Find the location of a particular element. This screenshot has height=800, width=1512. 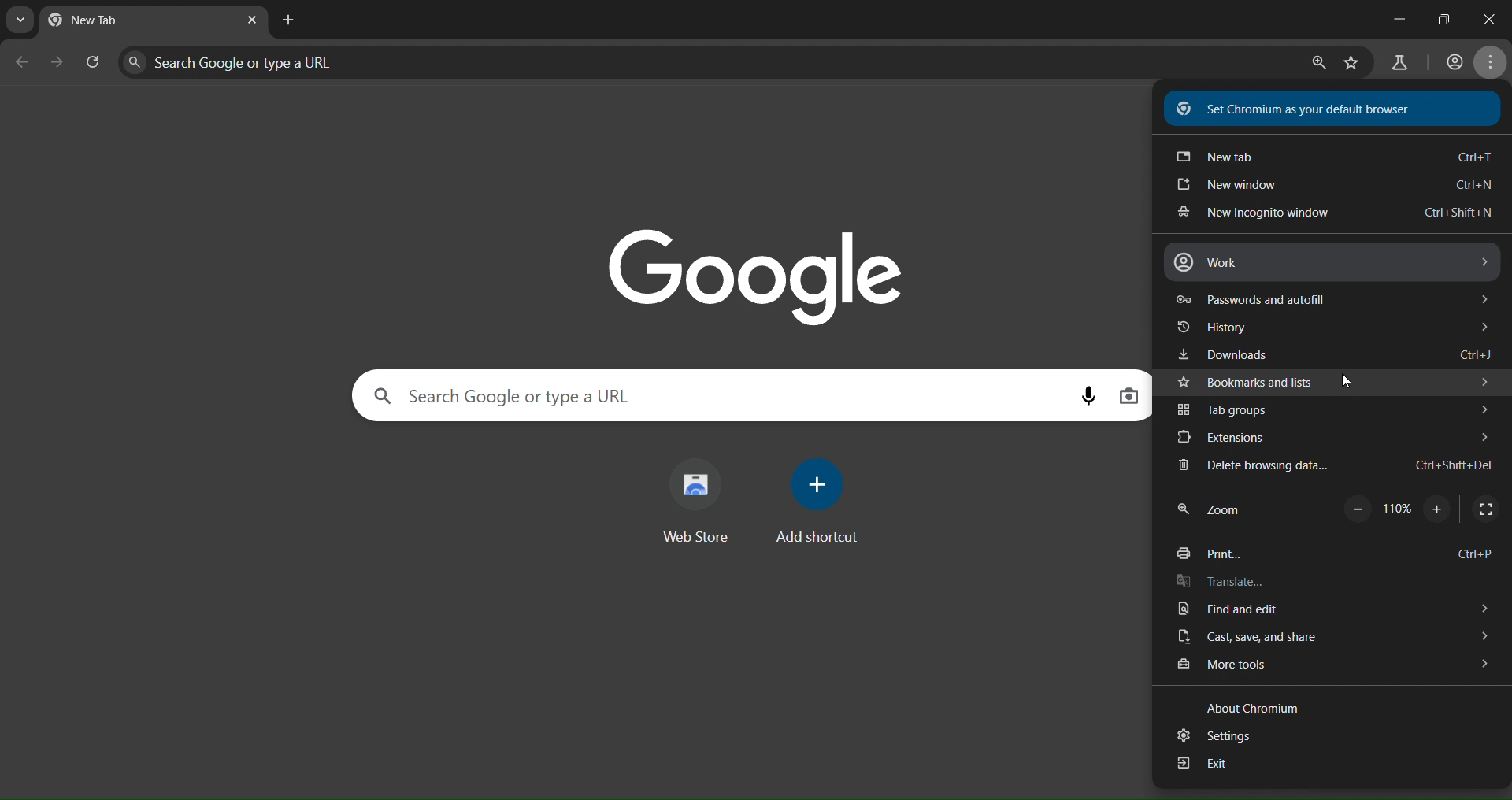

110% is located at coordinates (1392, 508).